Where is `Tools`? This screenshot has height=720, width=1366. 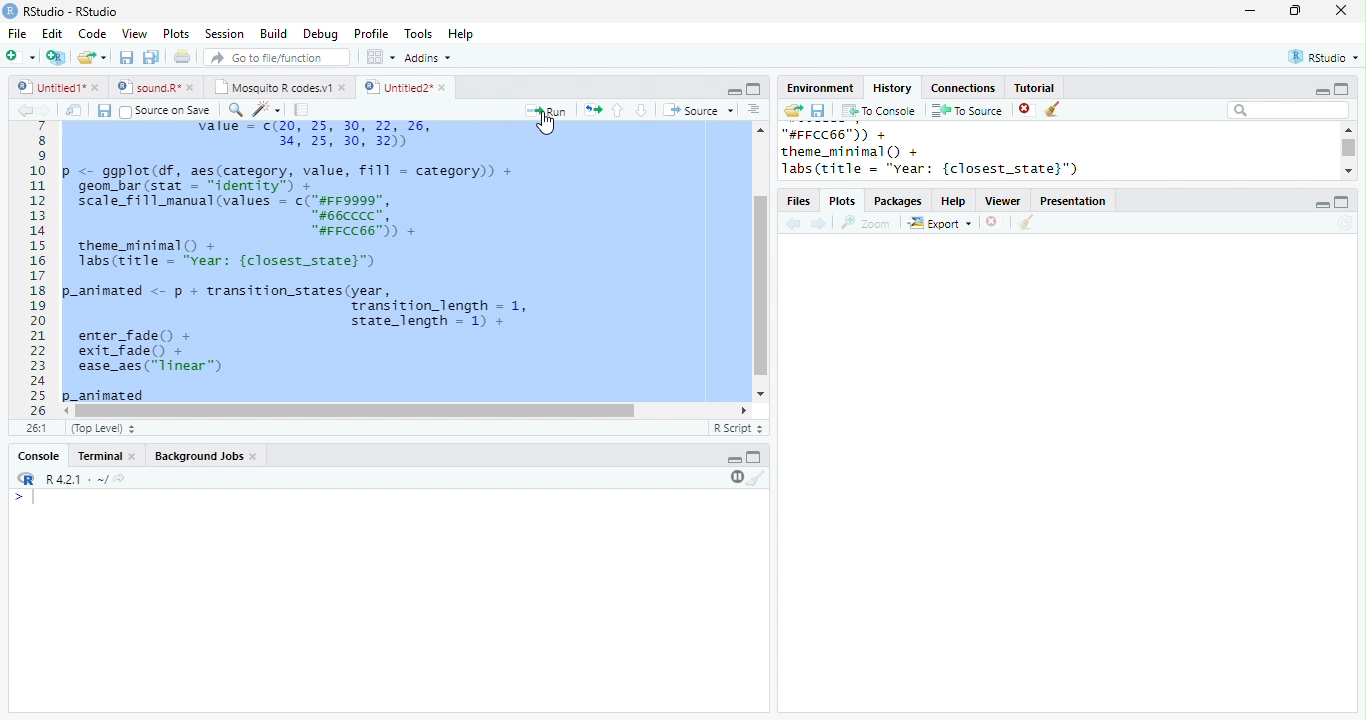
Tools is located at coordinates (418, 33).